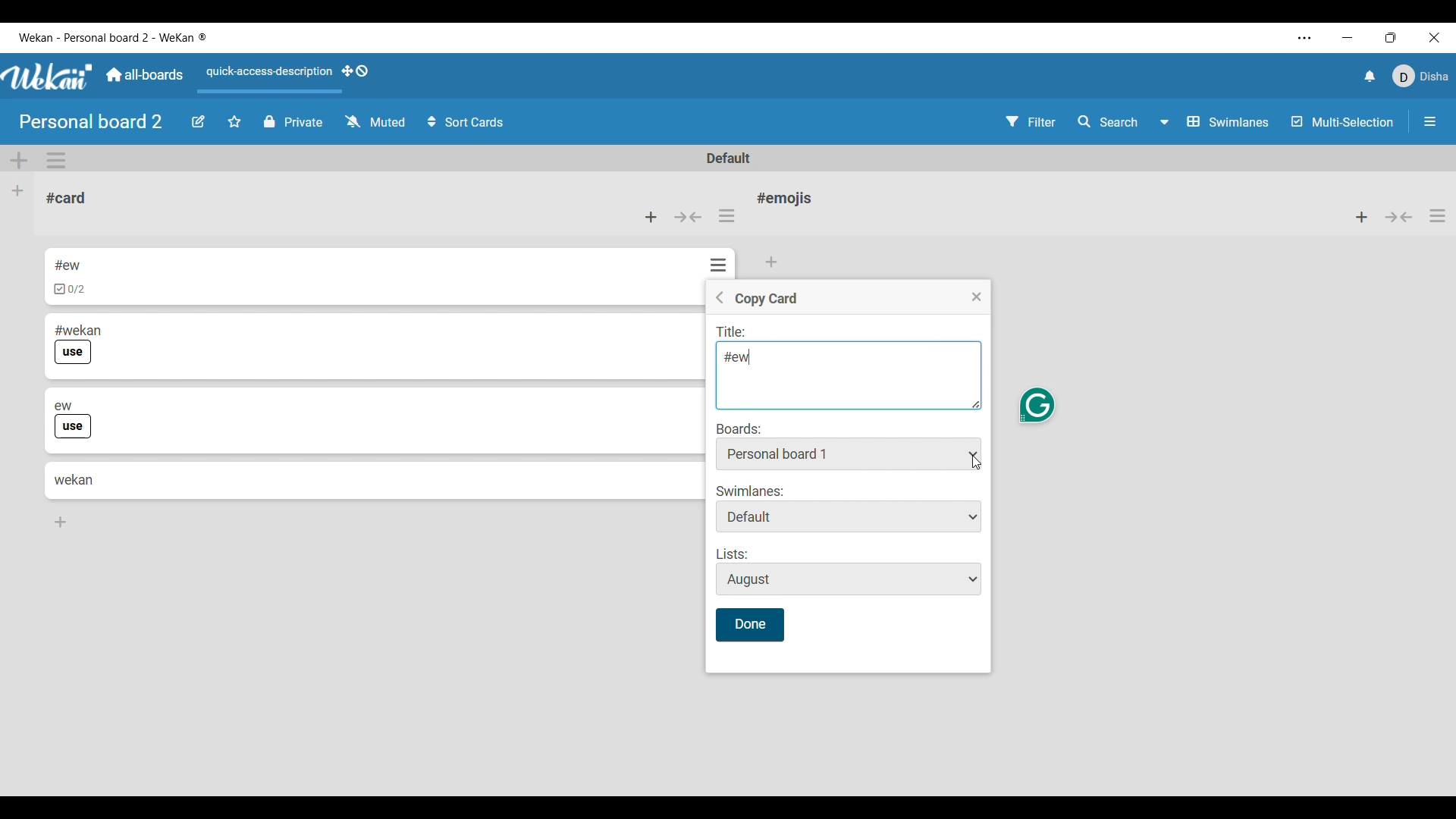  Describe the element at coordinates (749, 625) in the screenshot. I see `Save inputs made` at that location.